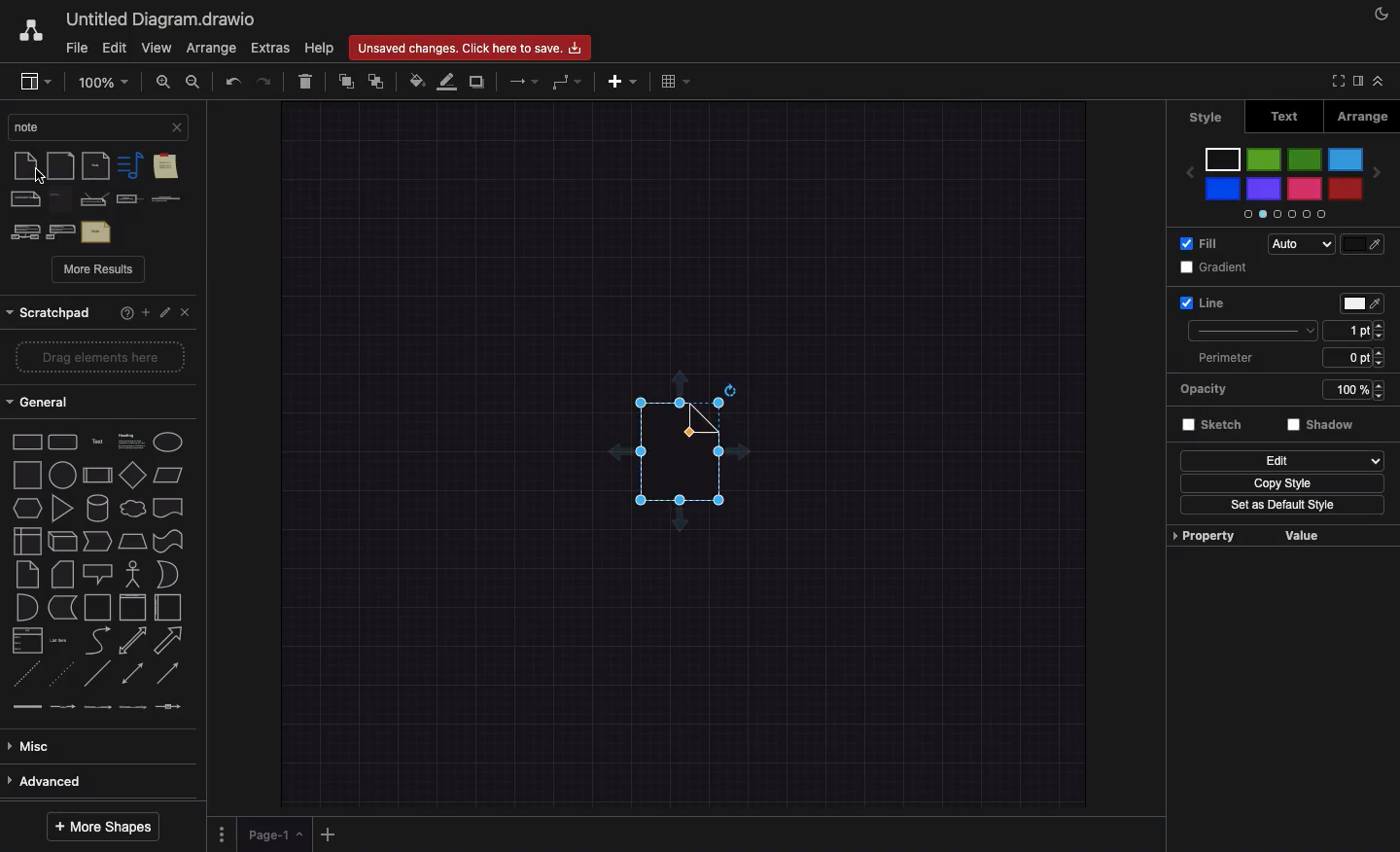 Image resolution: width=1400 pixels, height=852 pixels. What do you see at coordinates (25, 199) in the screenshot?
I see `comment ` at bounding box center [25, 199].